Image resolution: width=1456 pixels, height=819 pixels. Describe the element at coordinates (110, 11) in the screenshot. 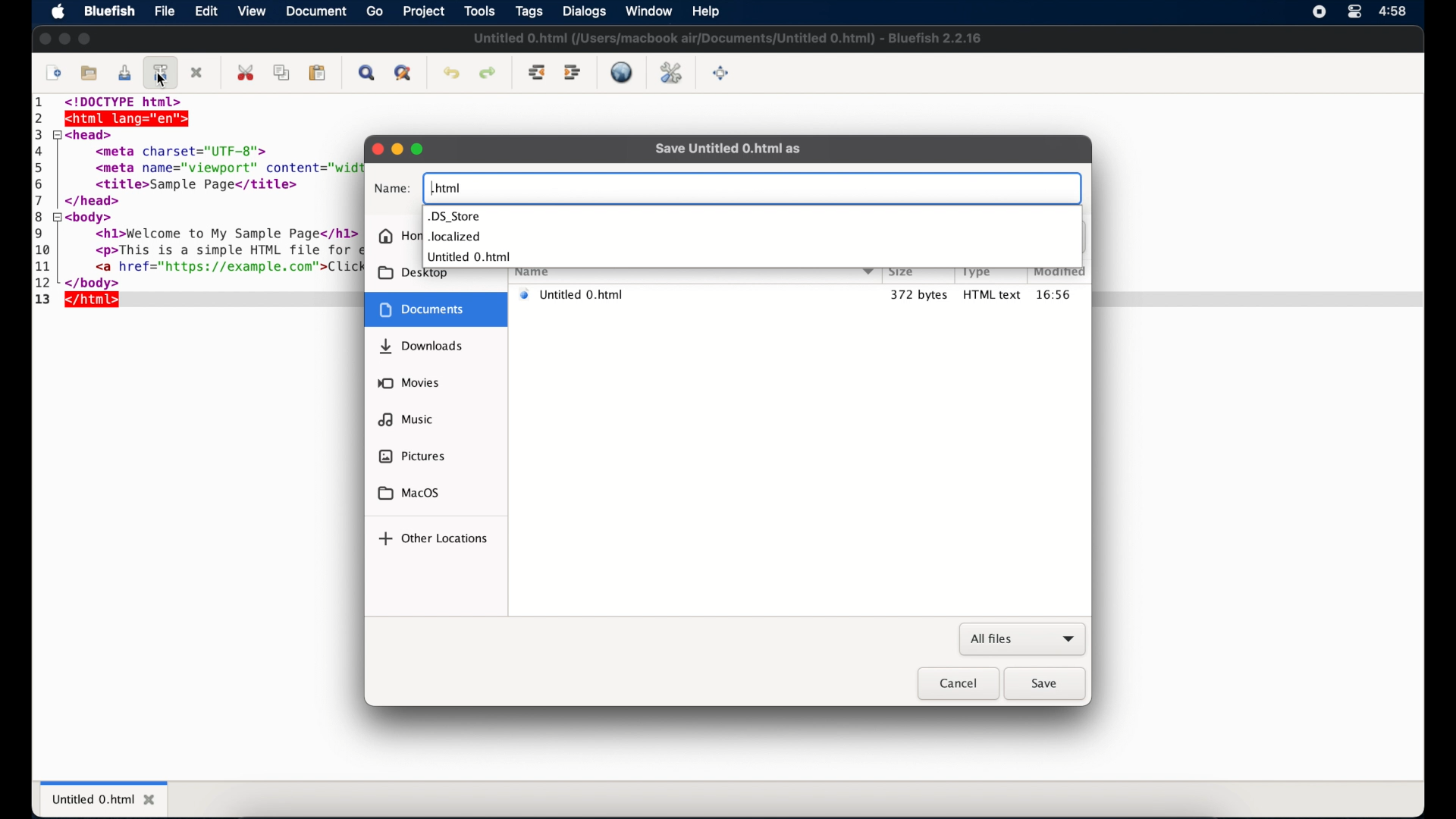

I see `bluefish` at that location.